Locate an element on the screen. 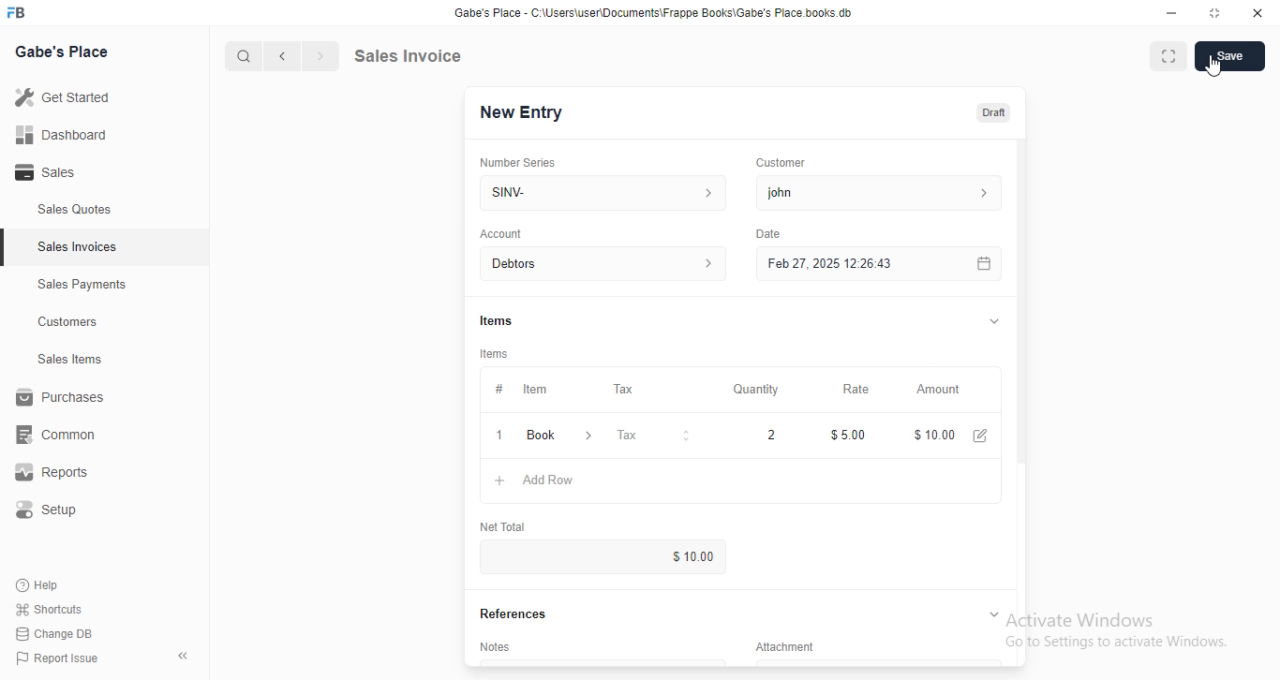 This screenshot has height=680, width=1280. Search is located at coordinates (242, 53).